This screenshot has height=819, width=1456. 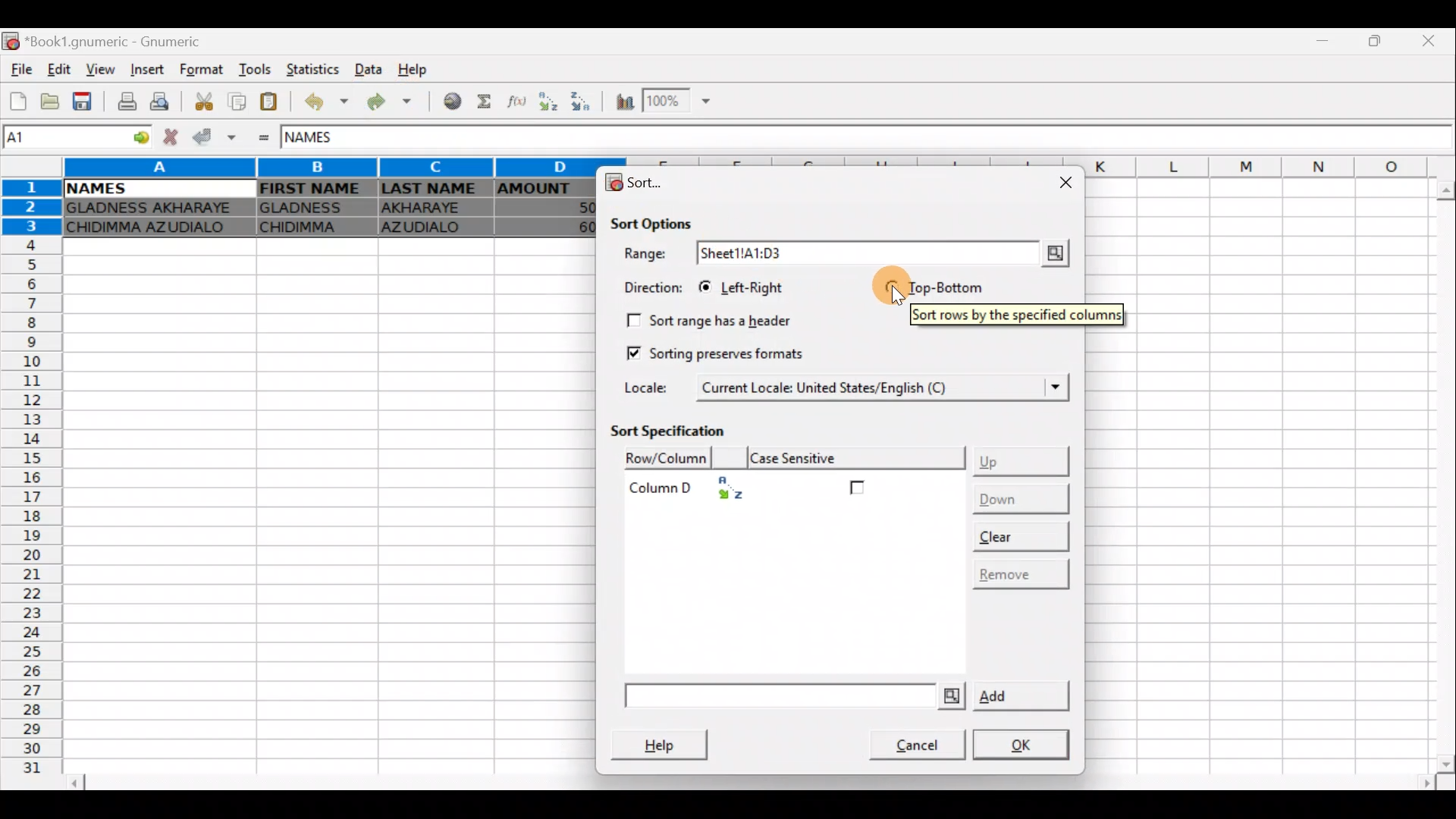 I want to click on Sort options, so click(x=657, y=221).